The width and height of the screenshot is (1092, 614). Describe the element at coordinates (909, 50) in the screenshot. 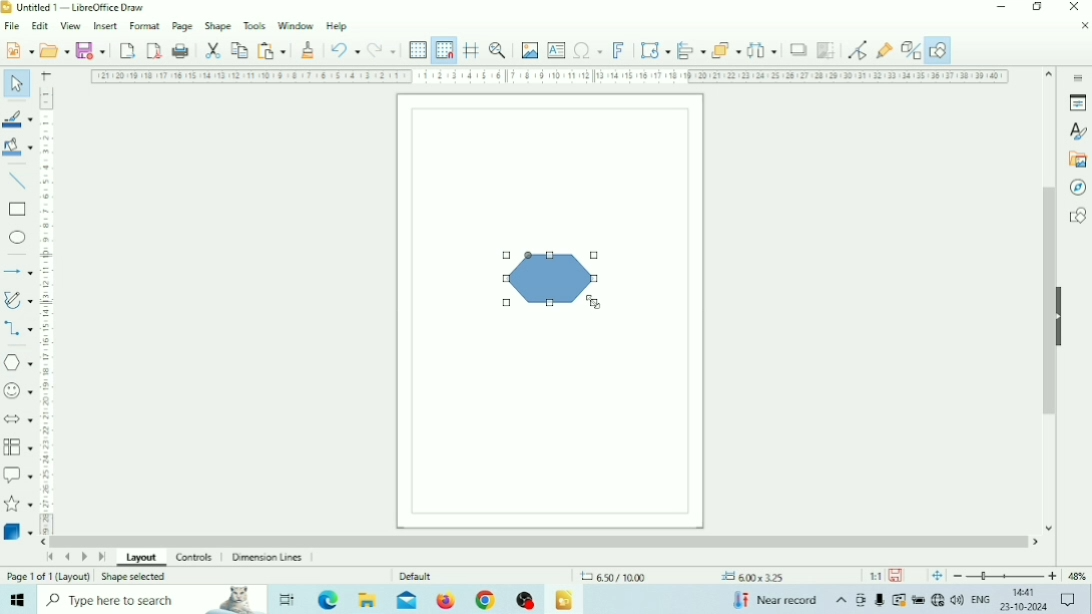

I see `Toggle Extrusion` at that location.